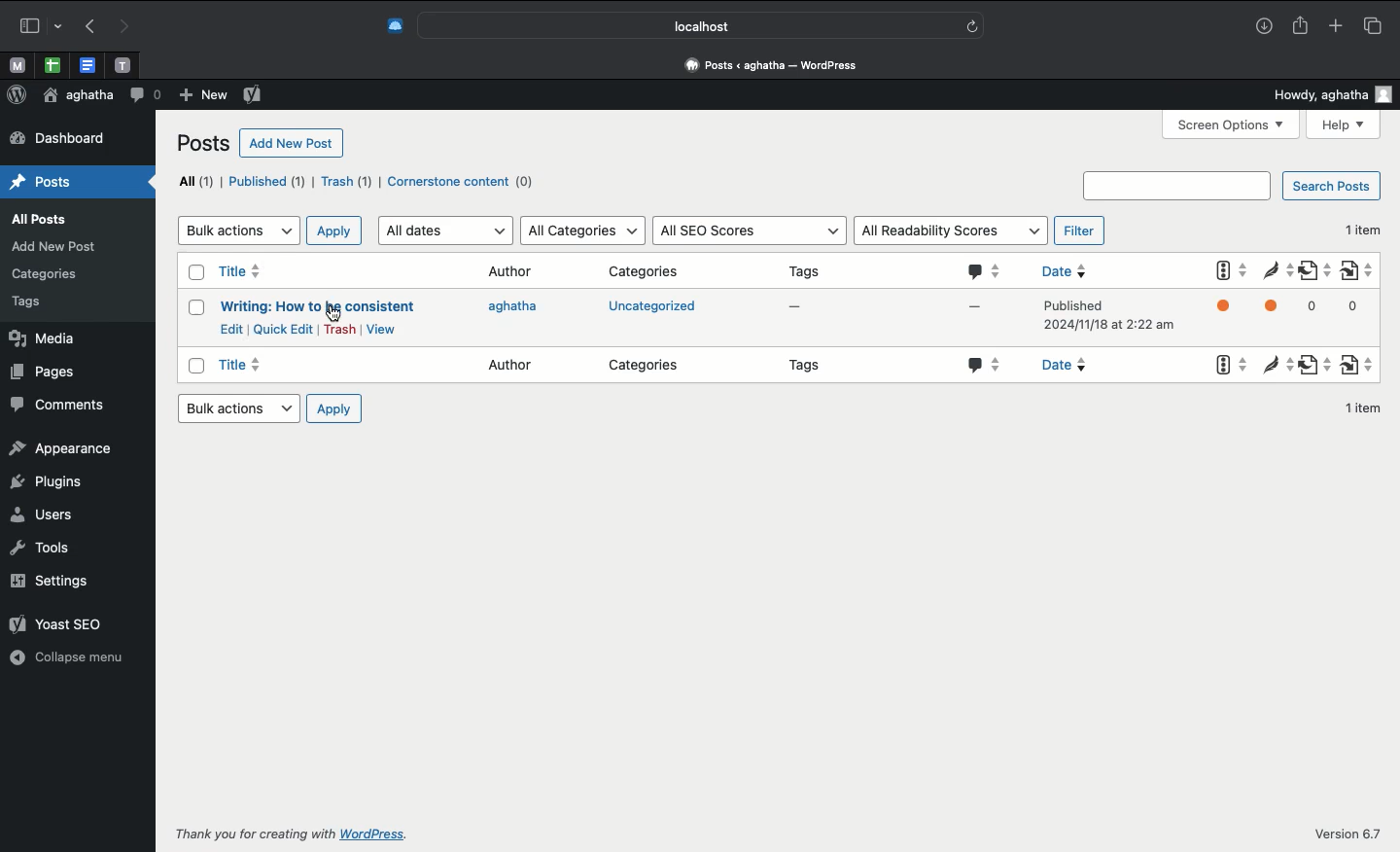  I want to click on 0, so click(1313, 305).